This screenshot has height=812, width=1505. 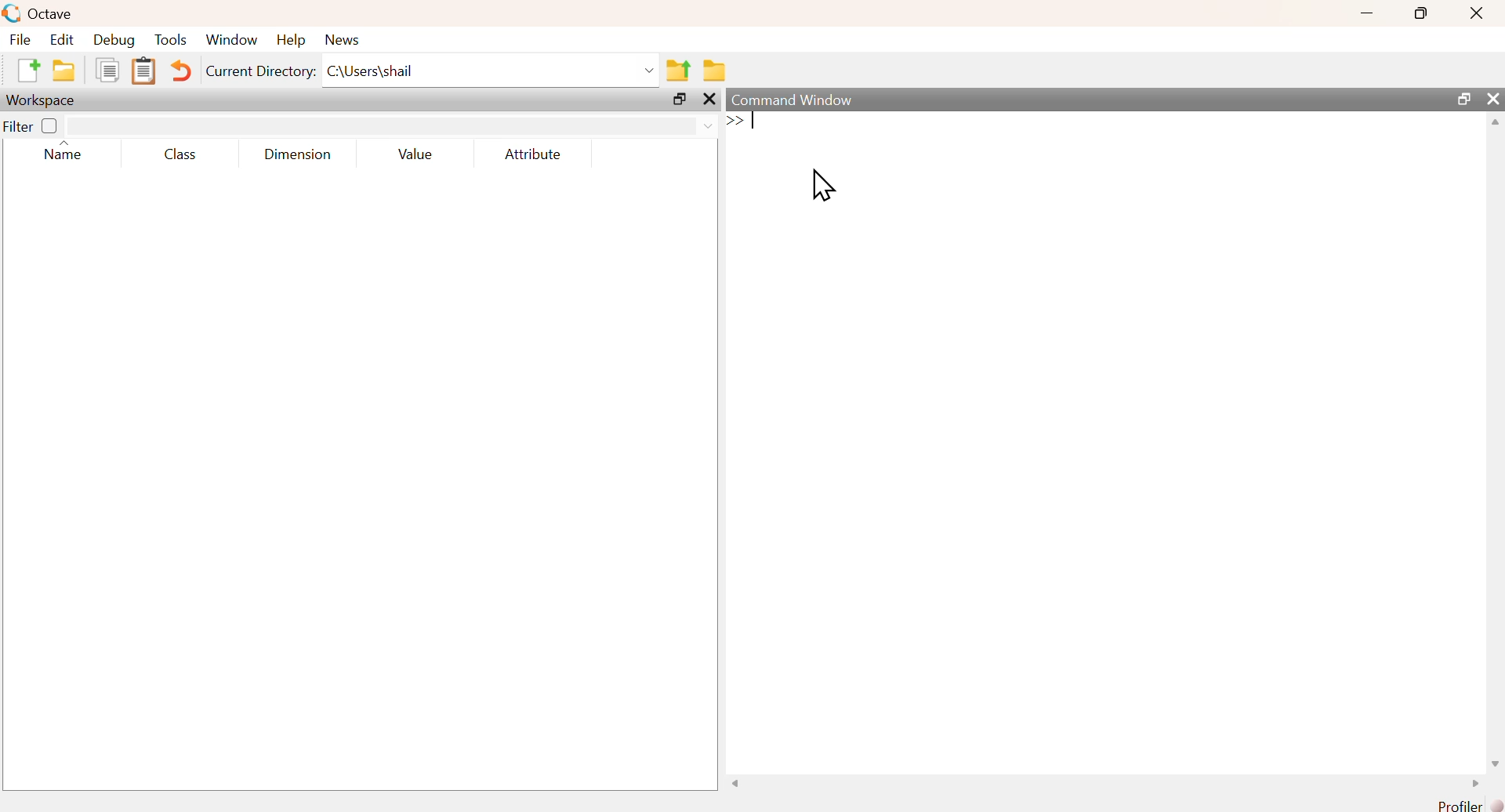 What do you see at coordinates (792, 100) in the screenshot?
I see `Command Window` at bounding box center [792, 100].